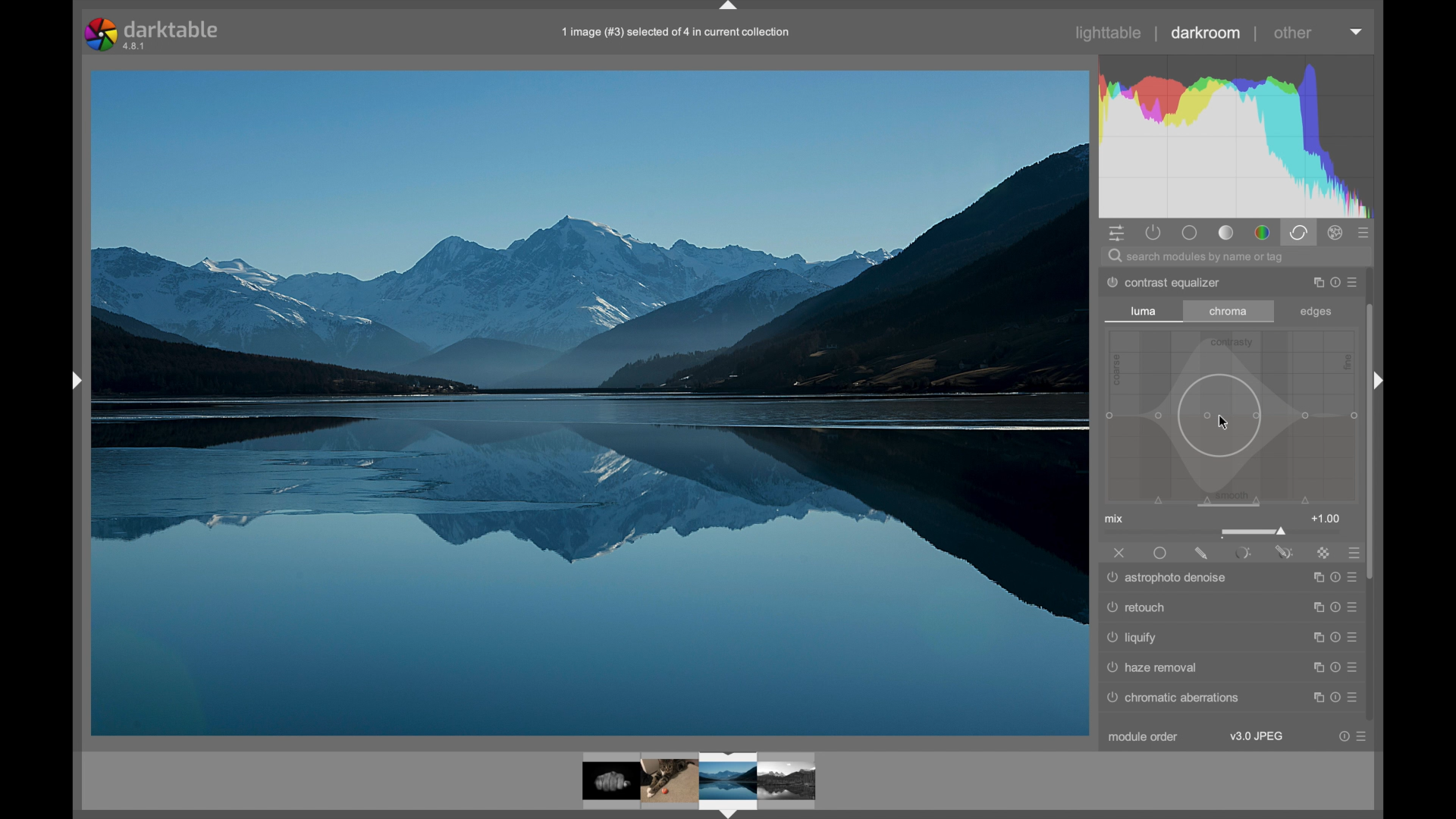 The width and height of the screenshot is (1456, 819). I want to click on drawnmask, so click(1201, 553).